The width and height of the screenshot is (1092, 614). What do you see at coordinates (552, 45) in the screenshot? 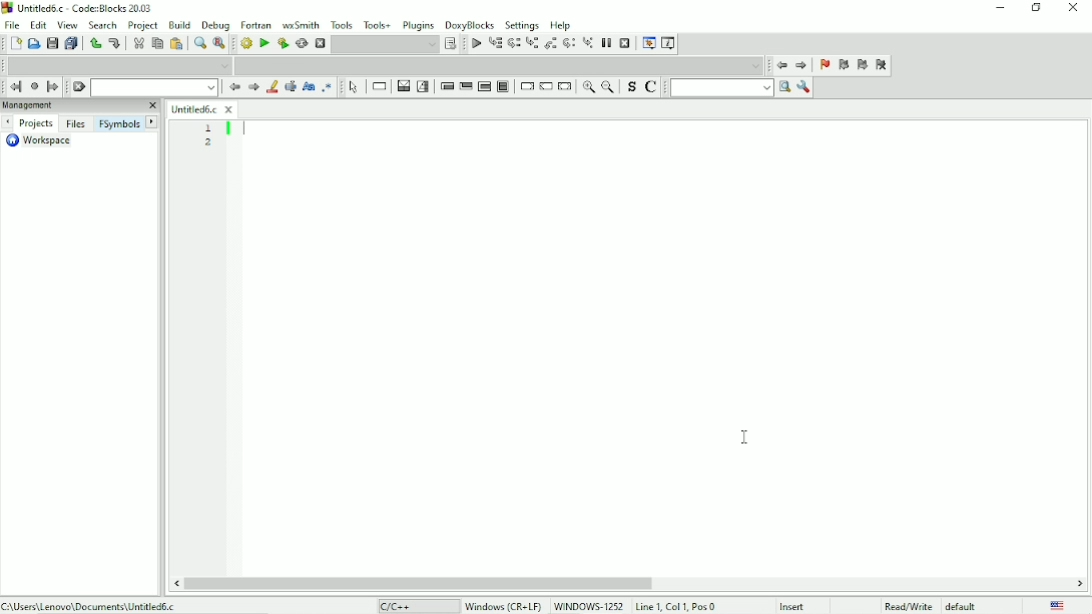
I see `Step out` at bounding box center [552, 45].